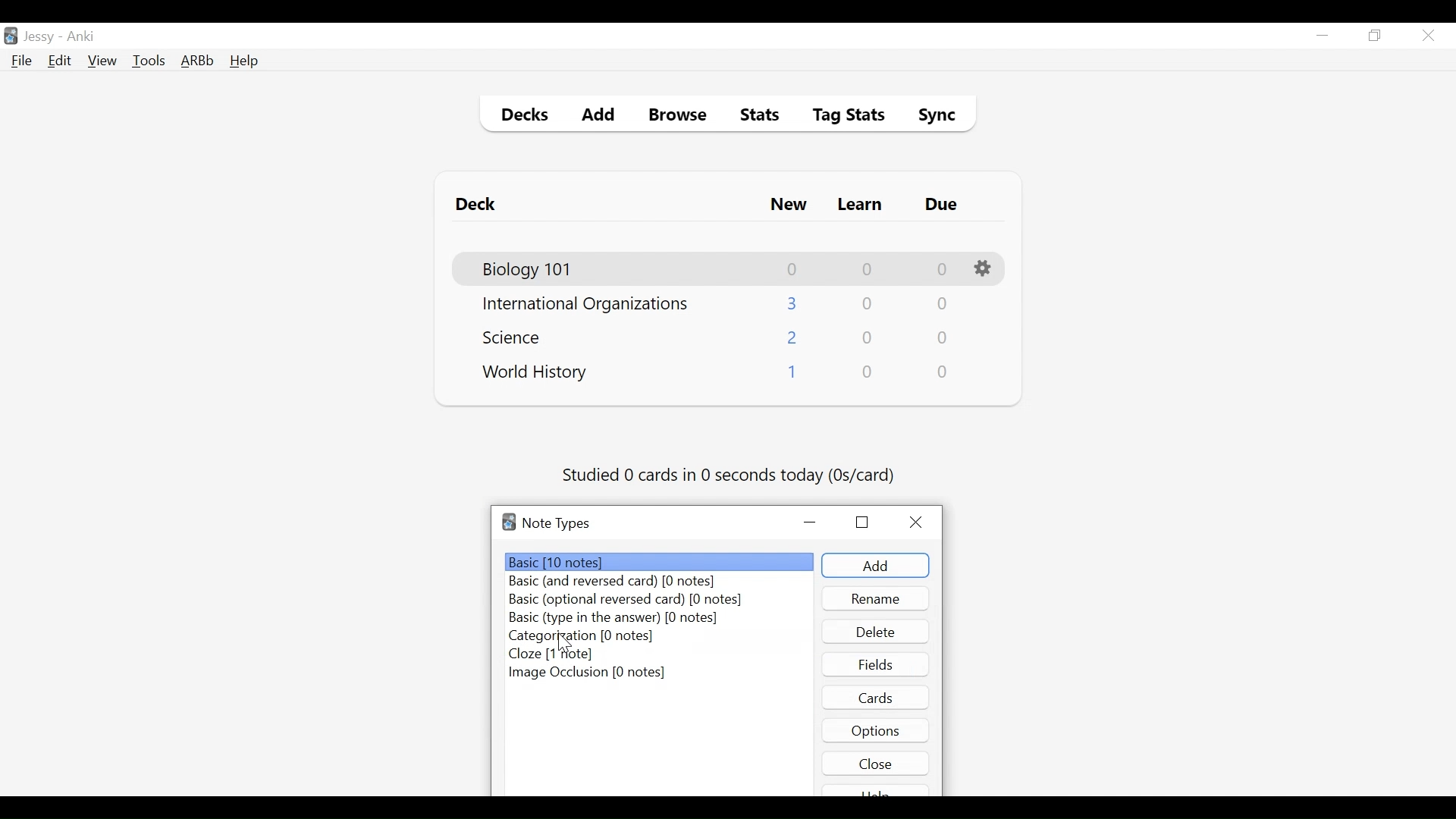 The image size is (1456, 819). I want to click on Deck Name, so click(529, 270).